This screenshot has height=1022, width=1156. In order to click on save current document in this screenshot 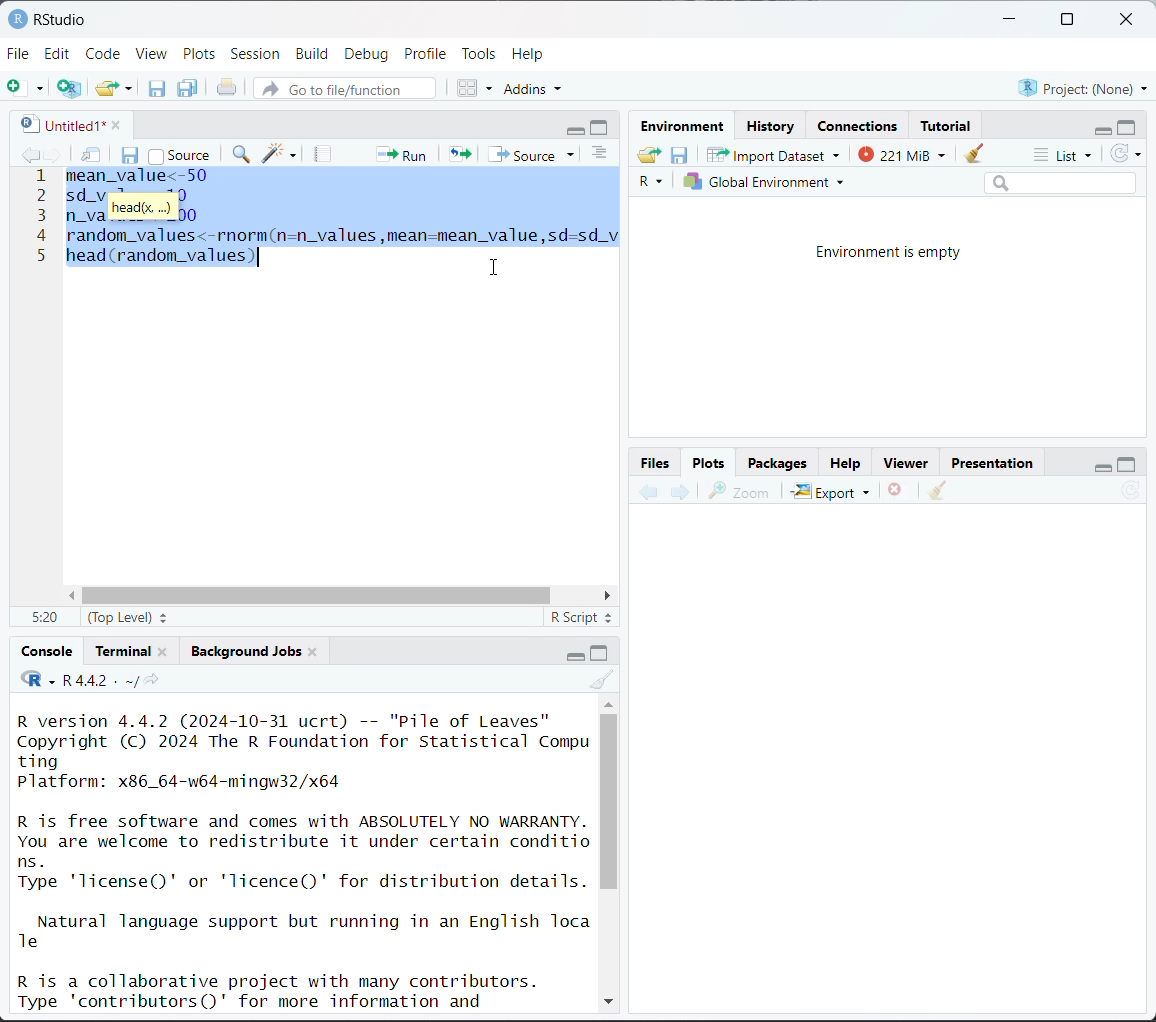, I will do `click(131, 153)`.